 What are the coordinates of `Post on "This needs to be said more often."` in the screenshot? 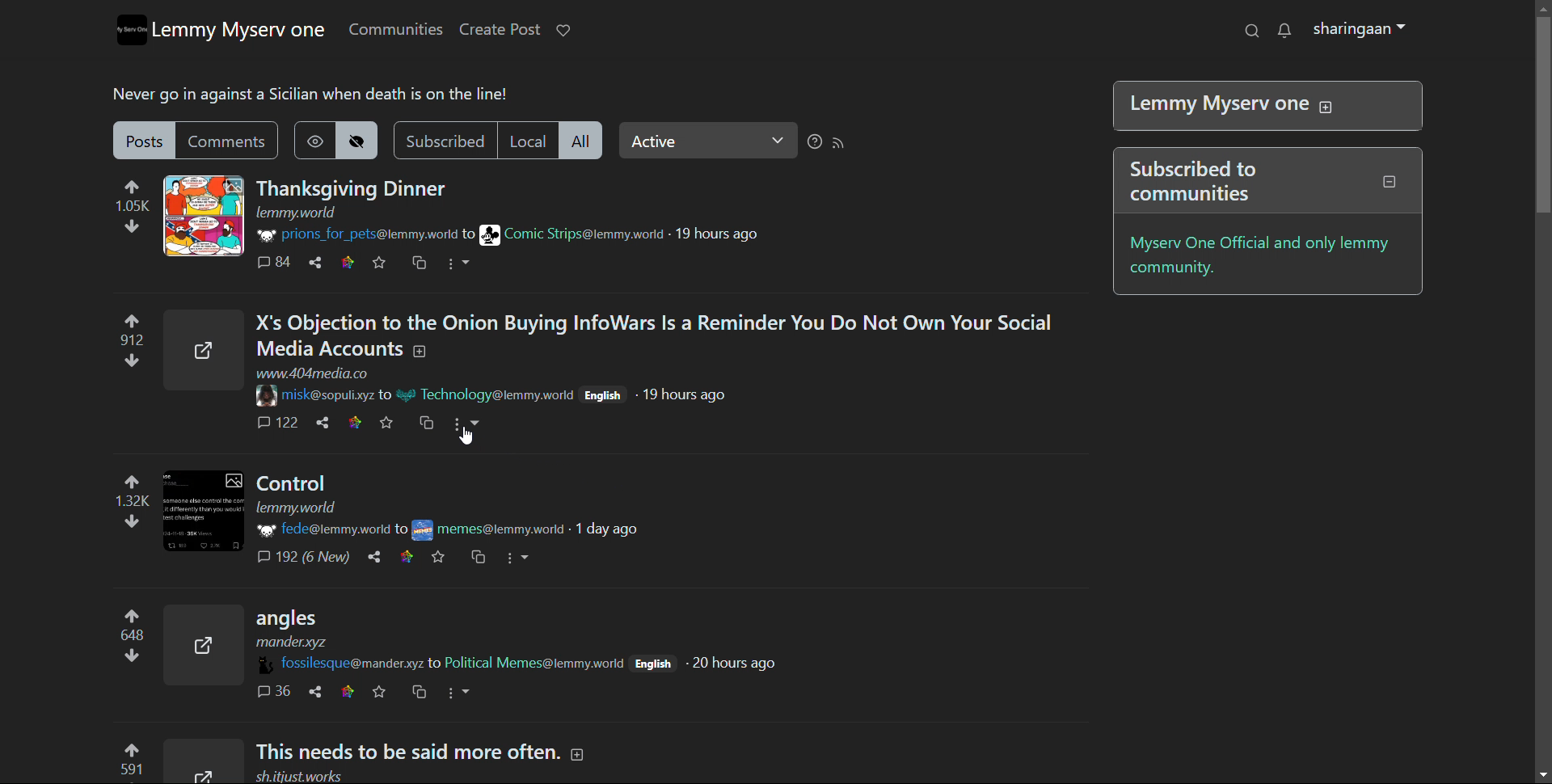 It's located at (433, 752).